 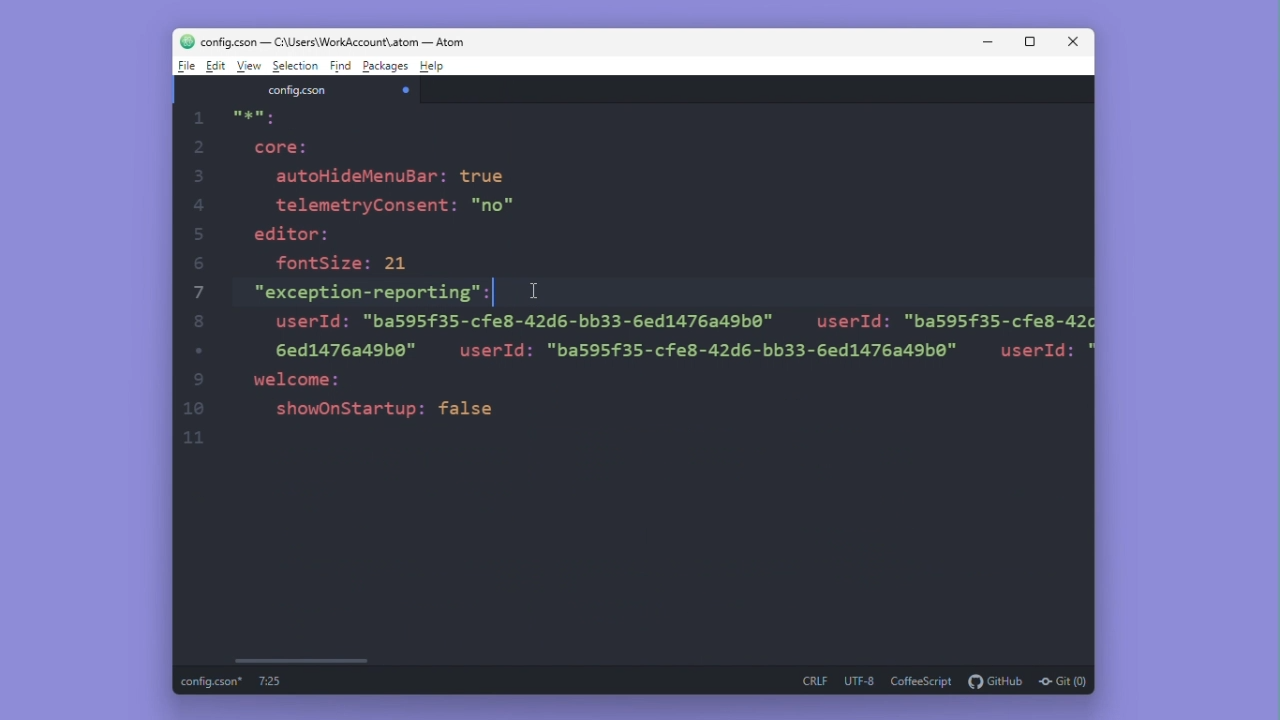 What do you see at coordinates (214, 682) in the screenshot?
I see `config.cson*` at bounding box center [214, 682].